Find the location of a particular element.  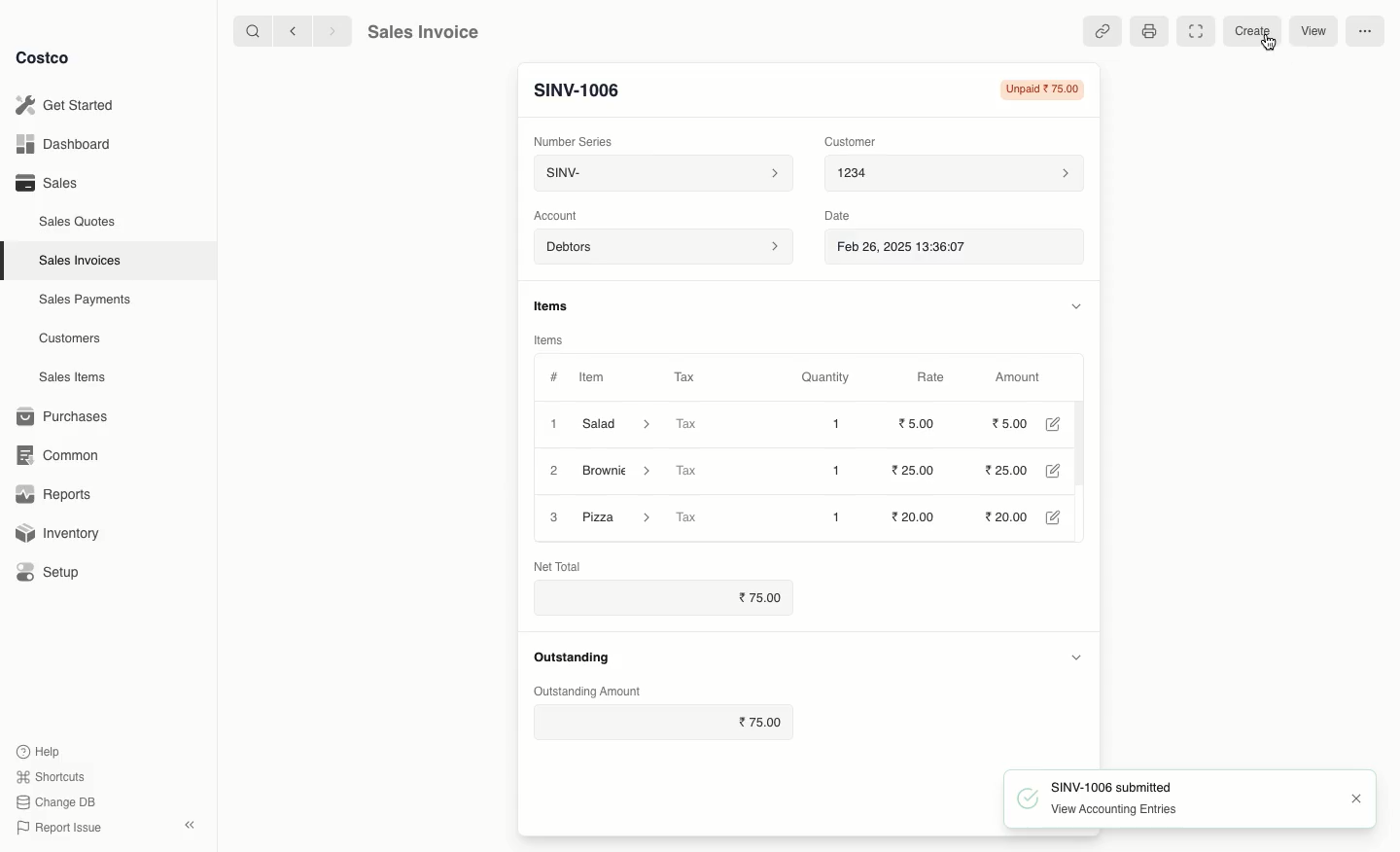

Setup is located at coordinates (55, 572).